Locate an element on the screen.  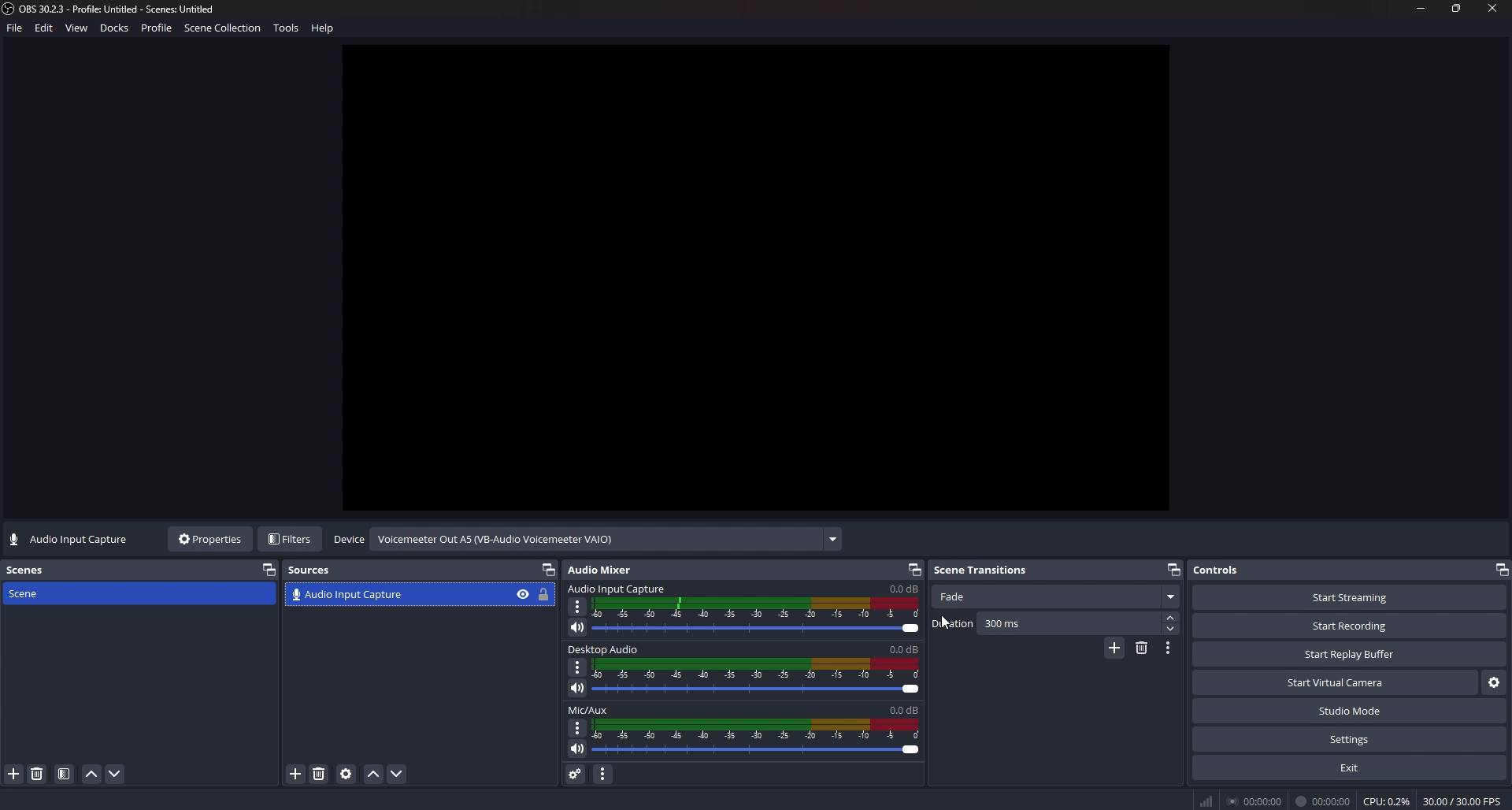
volume adjust is located at coordinates (759, 614).